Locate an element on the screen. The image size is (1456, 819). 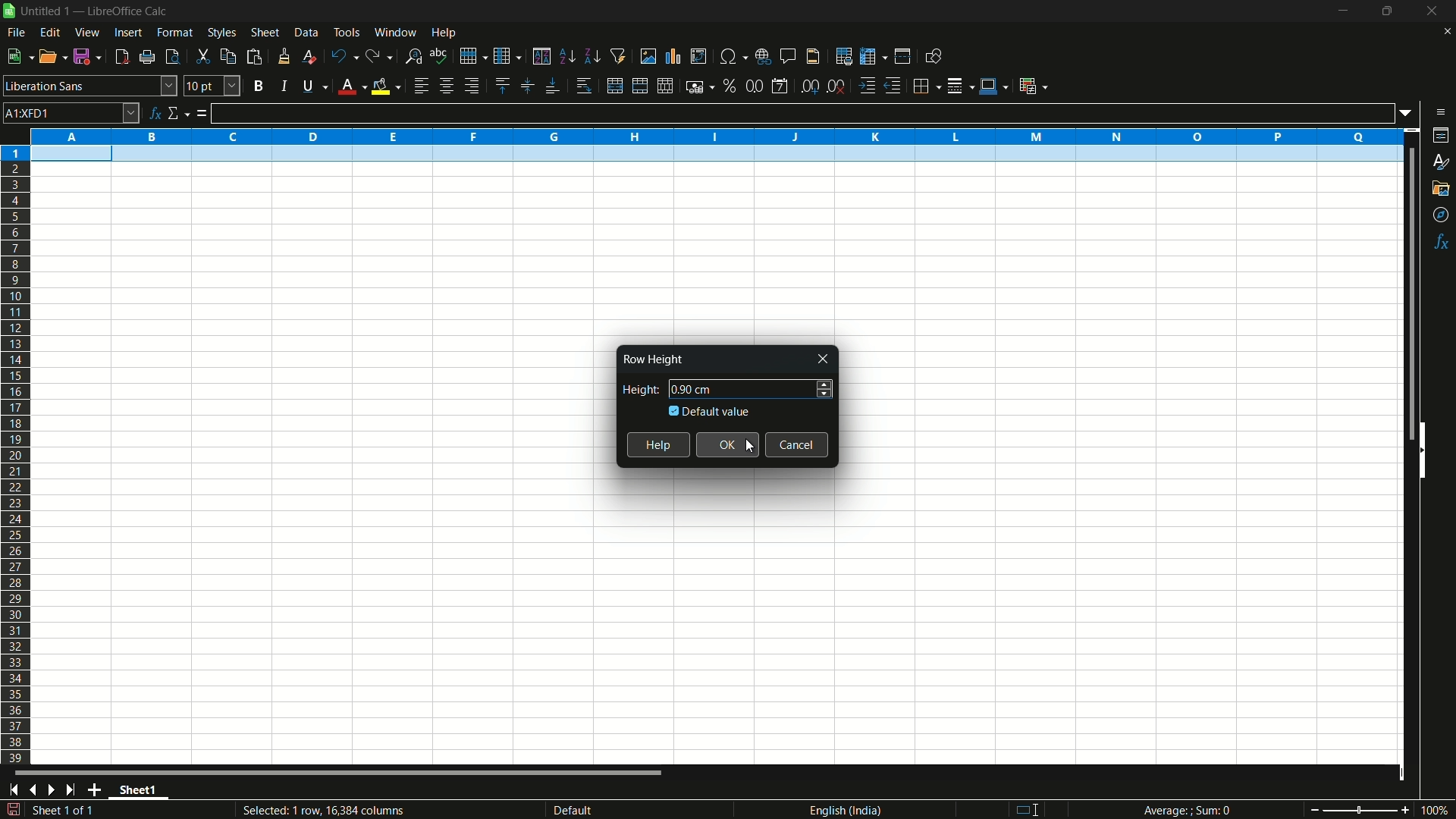
rows is located at coordinates (16, 454).